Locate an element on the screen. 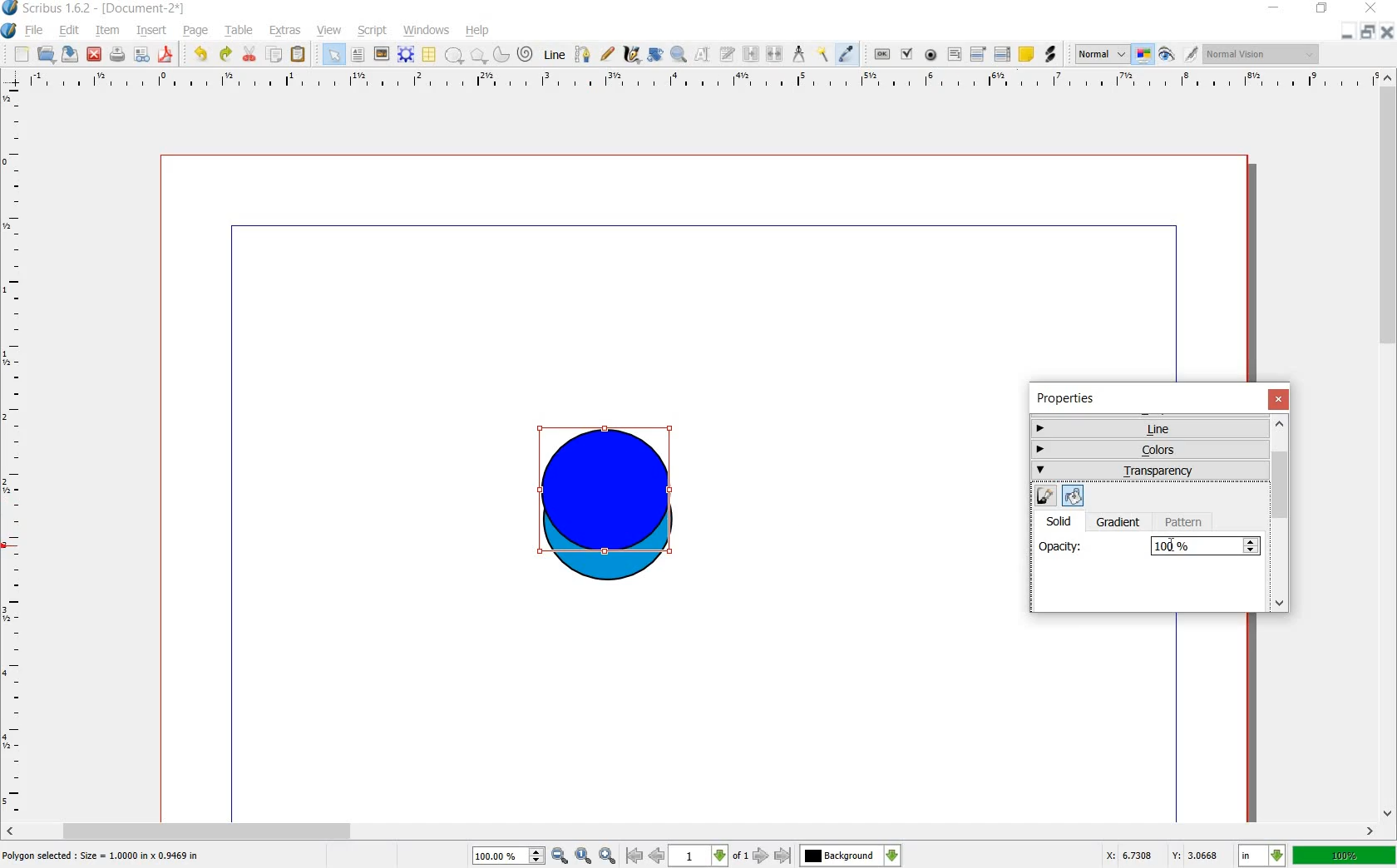 Image resolution: width=1397 pixels, height=868 pixels. insert is located at coordinates (152, 32).